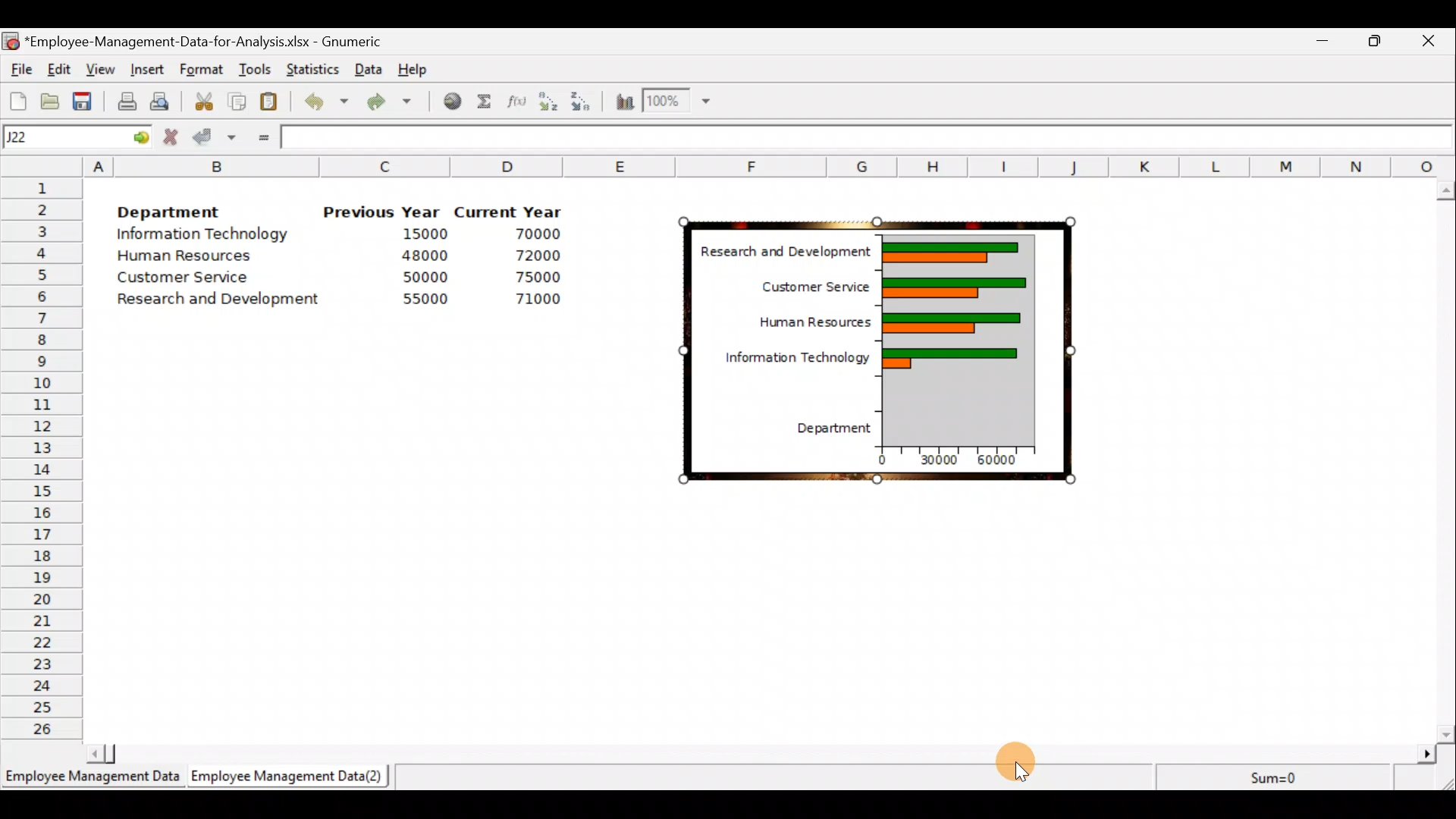 The image size is (1456, 819). Describe the element at coordinates (241, 102) in the screenshot. I see `Copy the selection` at that location.